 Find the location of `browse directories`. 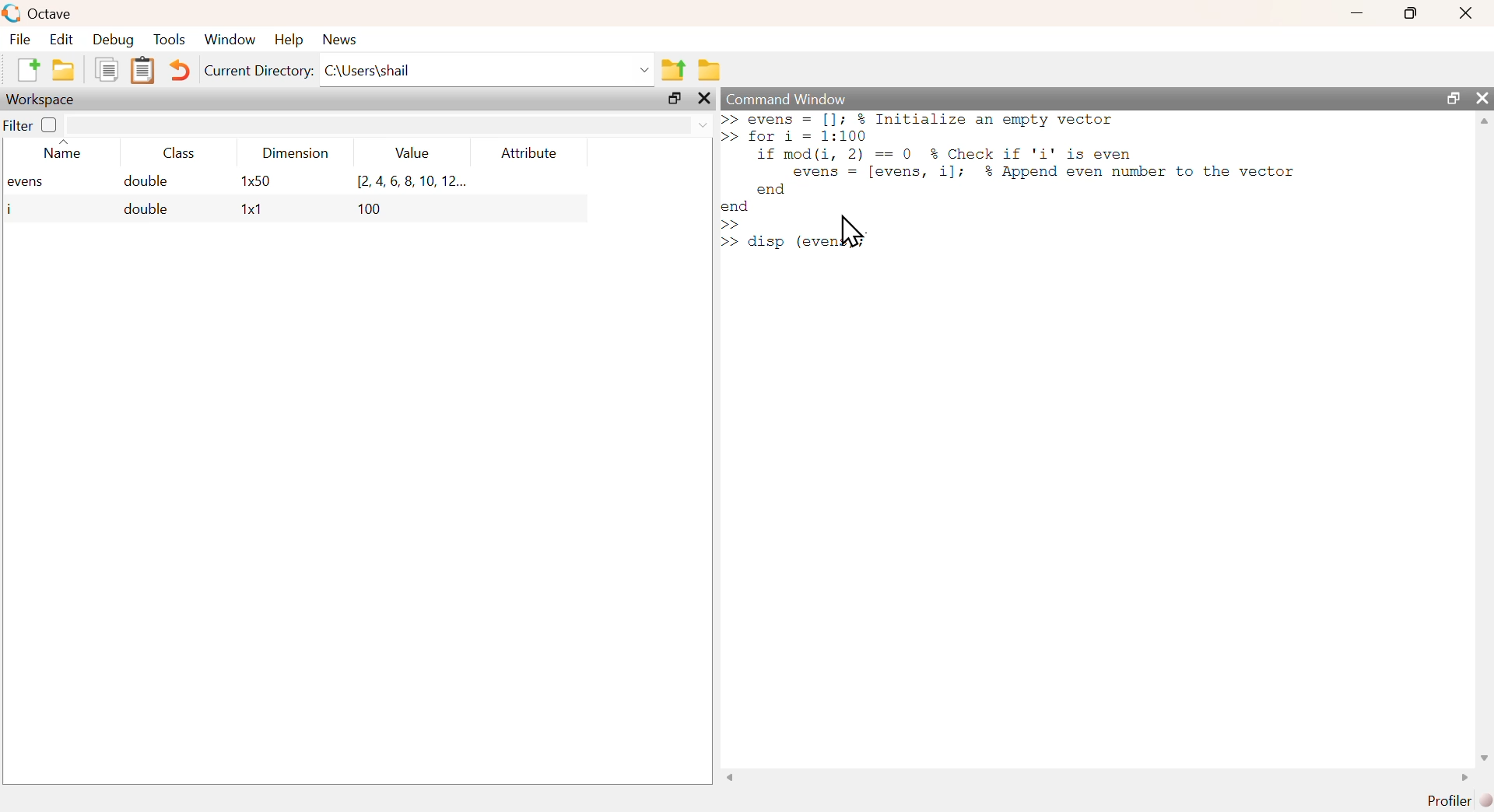

browse directories is located at coordinates (708, 70).